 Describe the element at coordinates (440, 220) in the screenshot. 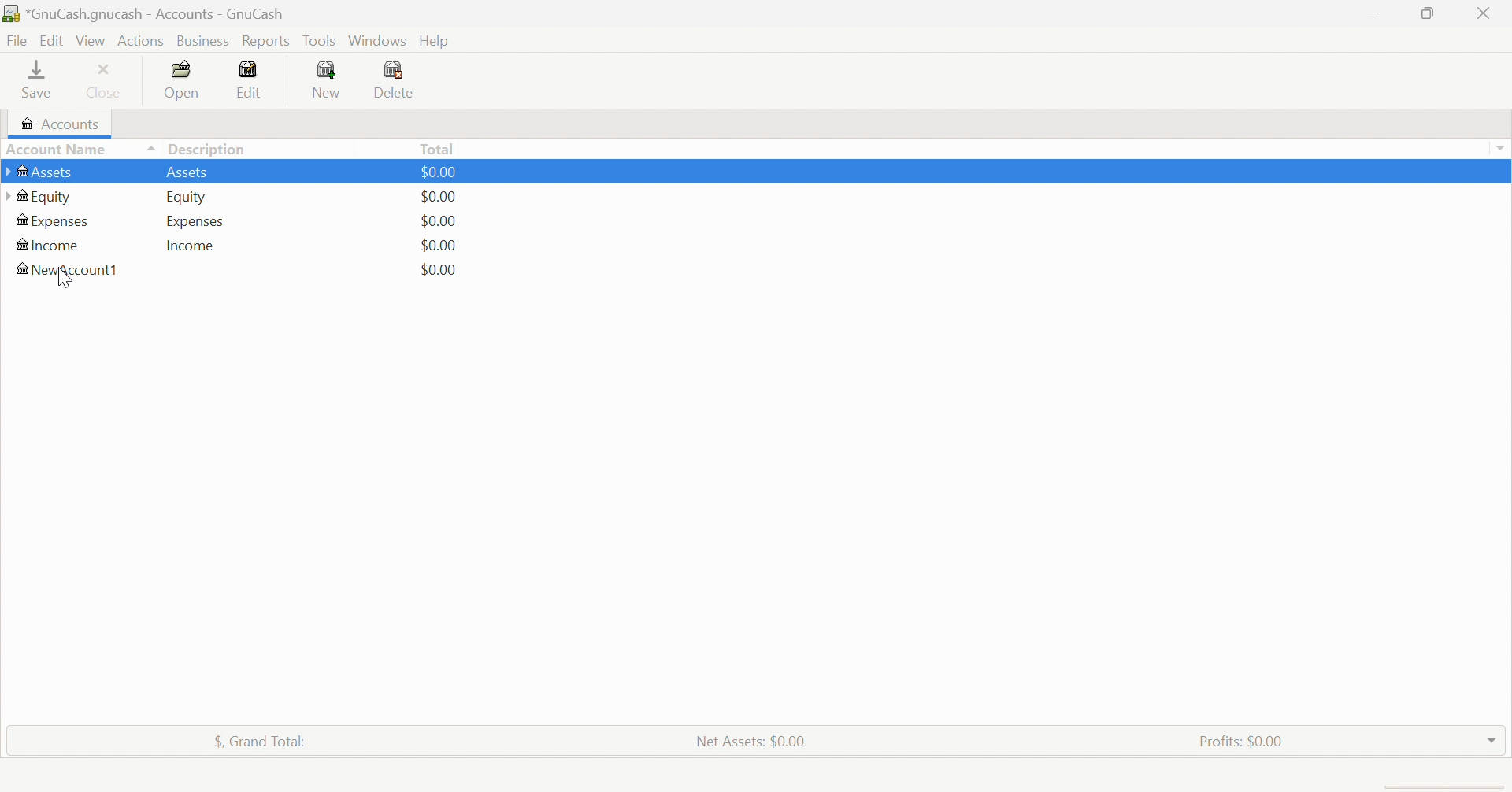

I see `$0.00` at that location.